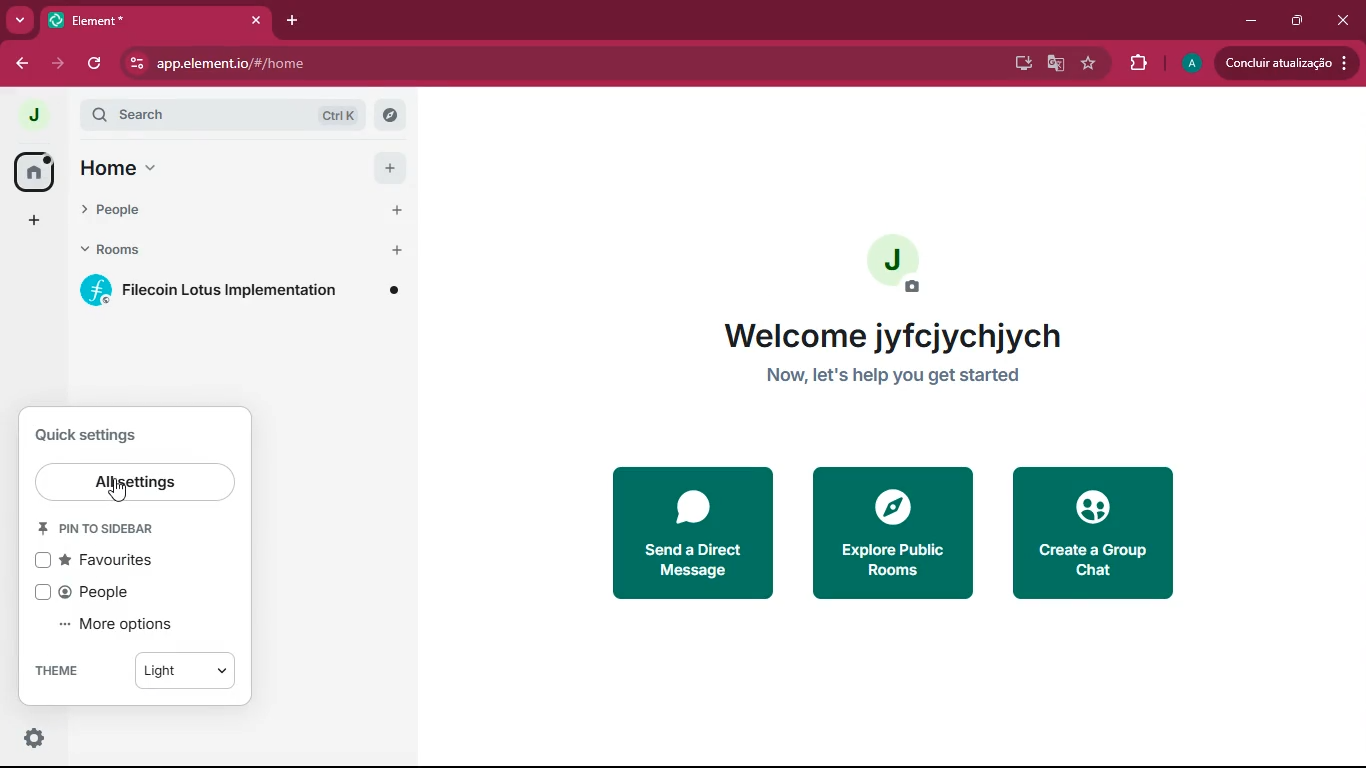 This screenshot has width=1366, height=768. What do you see at coordinates (96, 64) in the screenshot?
I see `refresh` at bounding box center [96, 64].